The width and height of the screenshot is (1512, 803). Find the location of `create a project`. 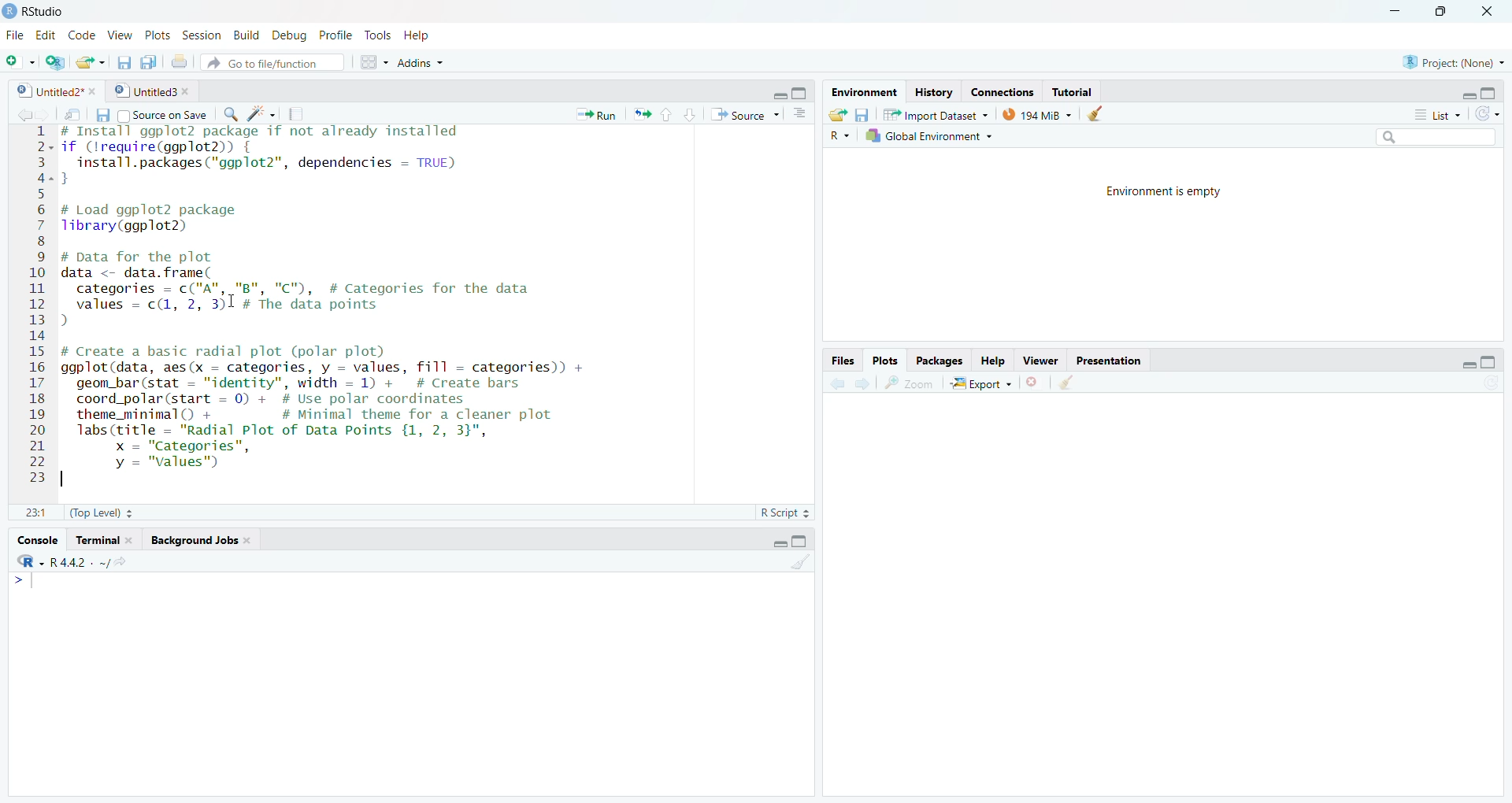

create a project is located at coordinates (54, 61).